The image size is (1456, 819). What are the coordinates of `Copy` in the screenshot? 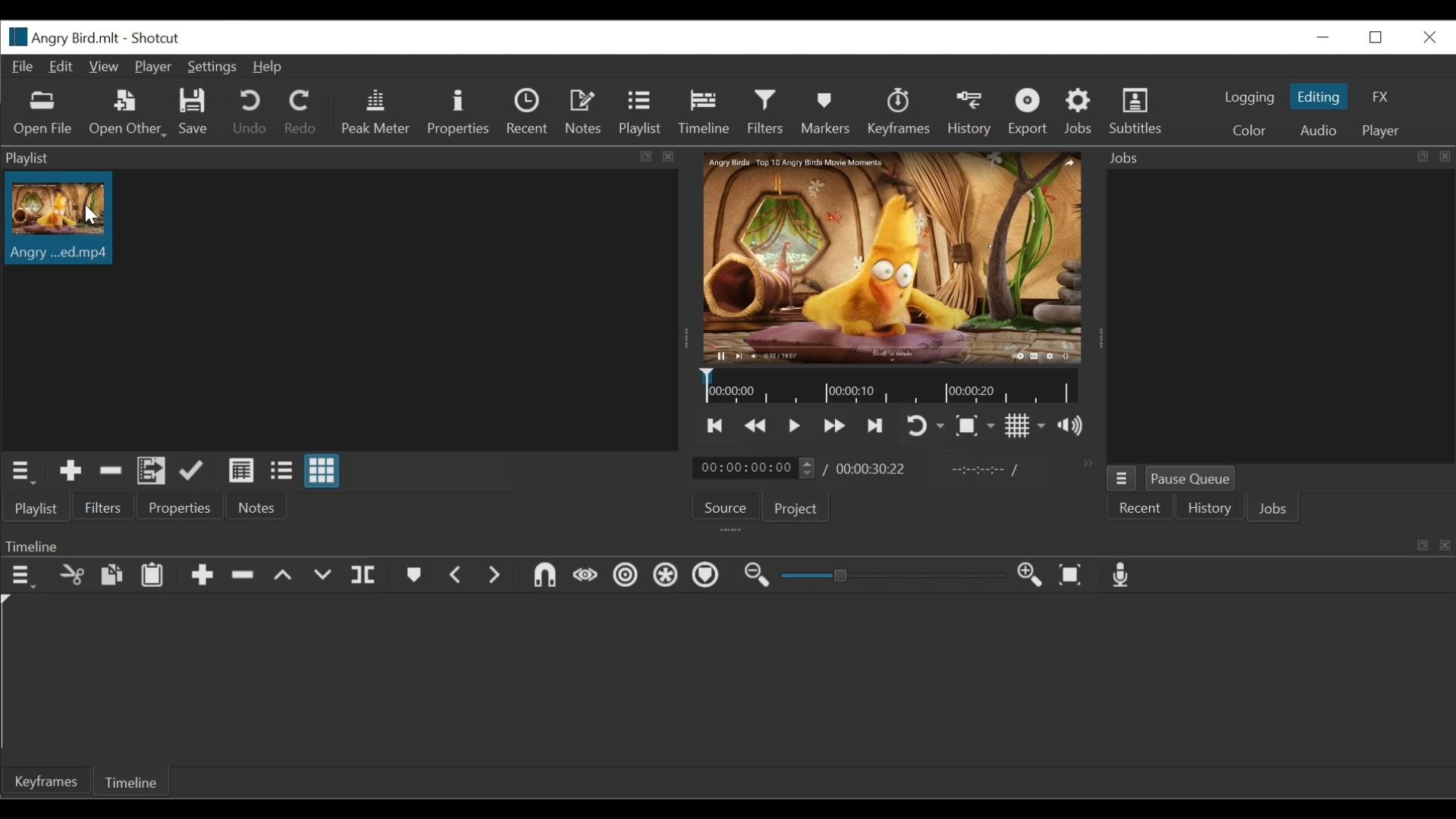 It's located at (111, 576).